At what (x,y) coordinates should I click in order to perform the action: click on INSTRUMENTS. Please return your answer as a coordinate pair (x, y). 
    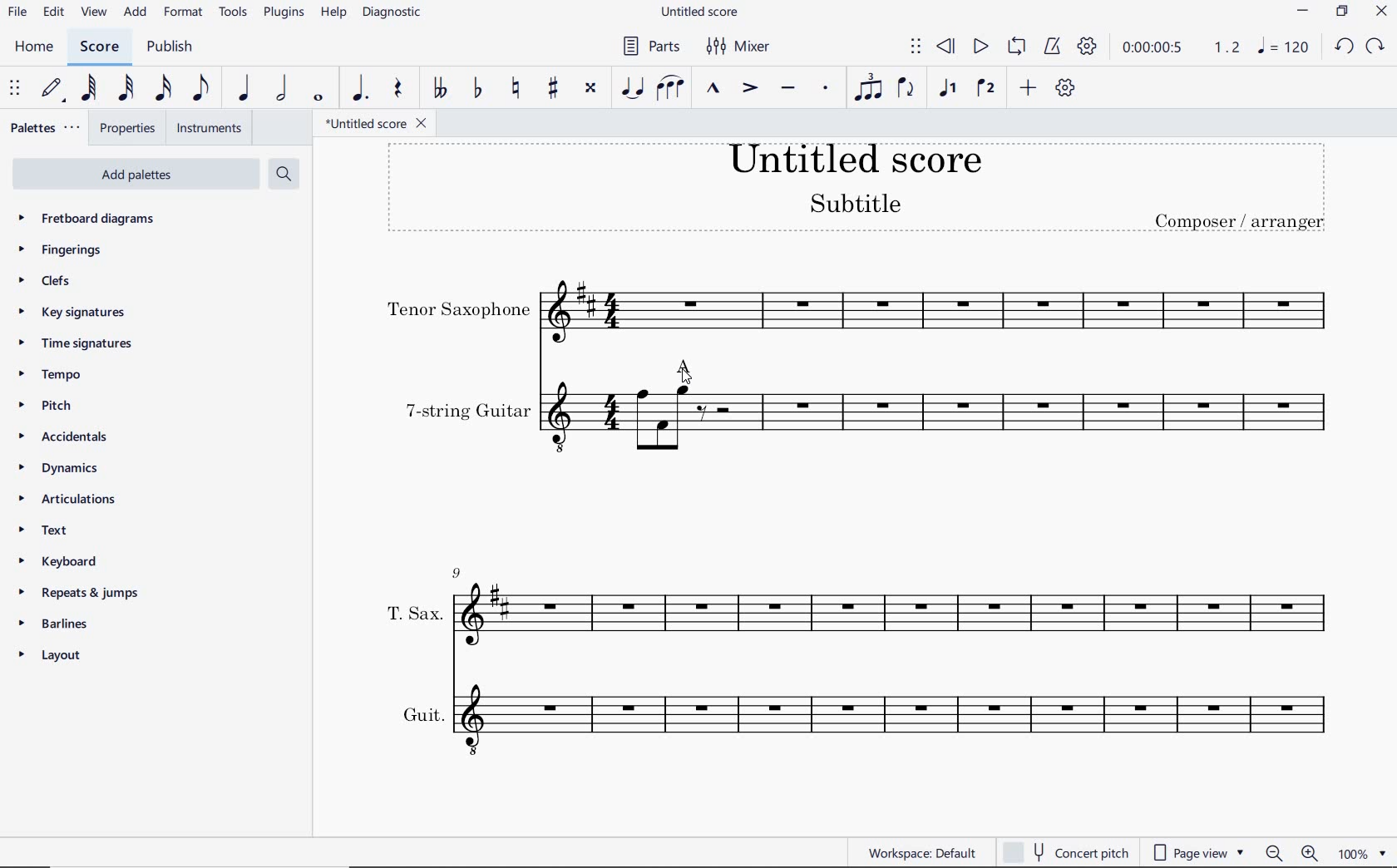
    Looking at the image, I should click on (210, 129).